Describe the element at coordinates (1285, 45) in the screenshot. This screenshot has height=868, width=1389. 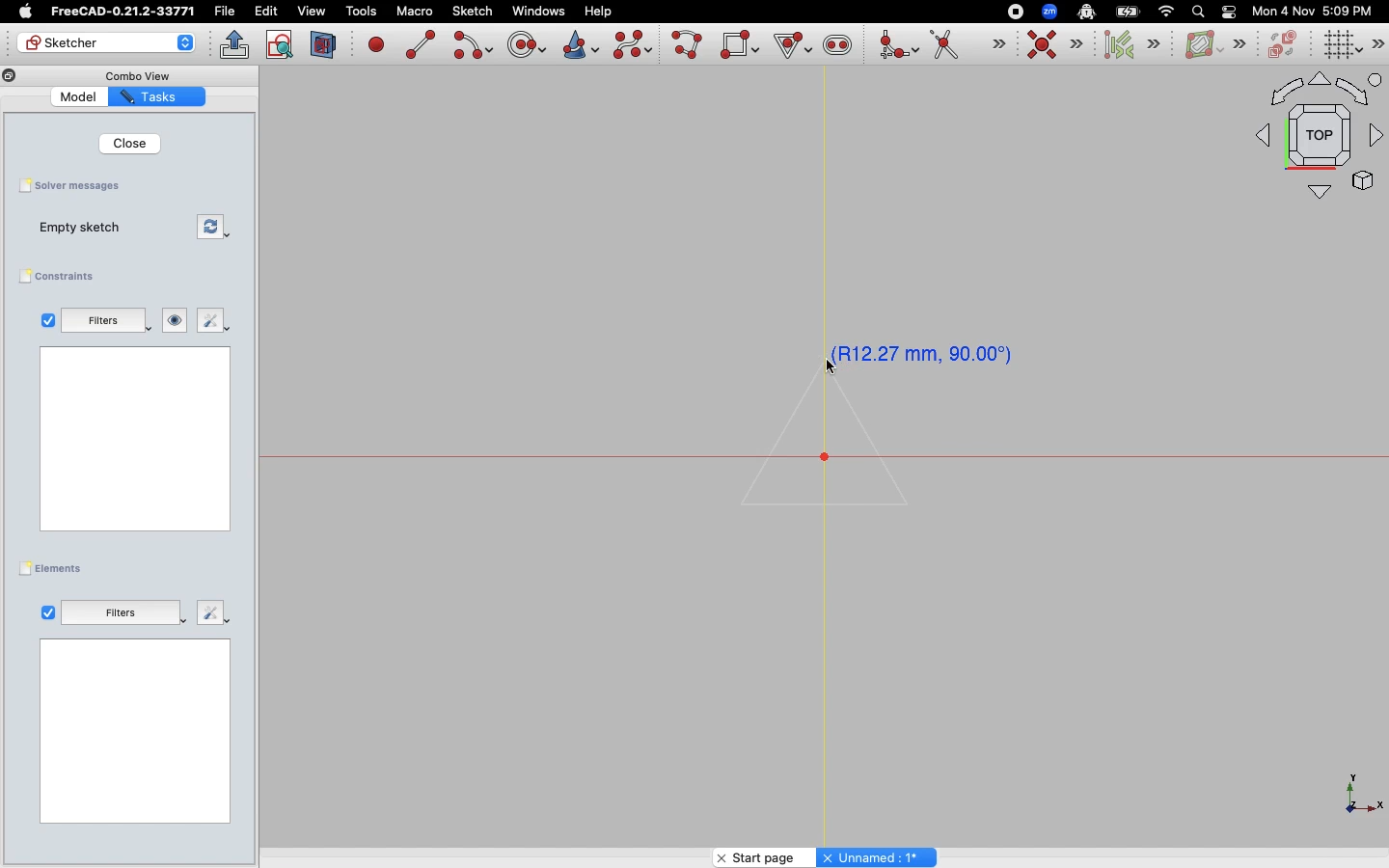
I see `Switch virtual space` at that location.